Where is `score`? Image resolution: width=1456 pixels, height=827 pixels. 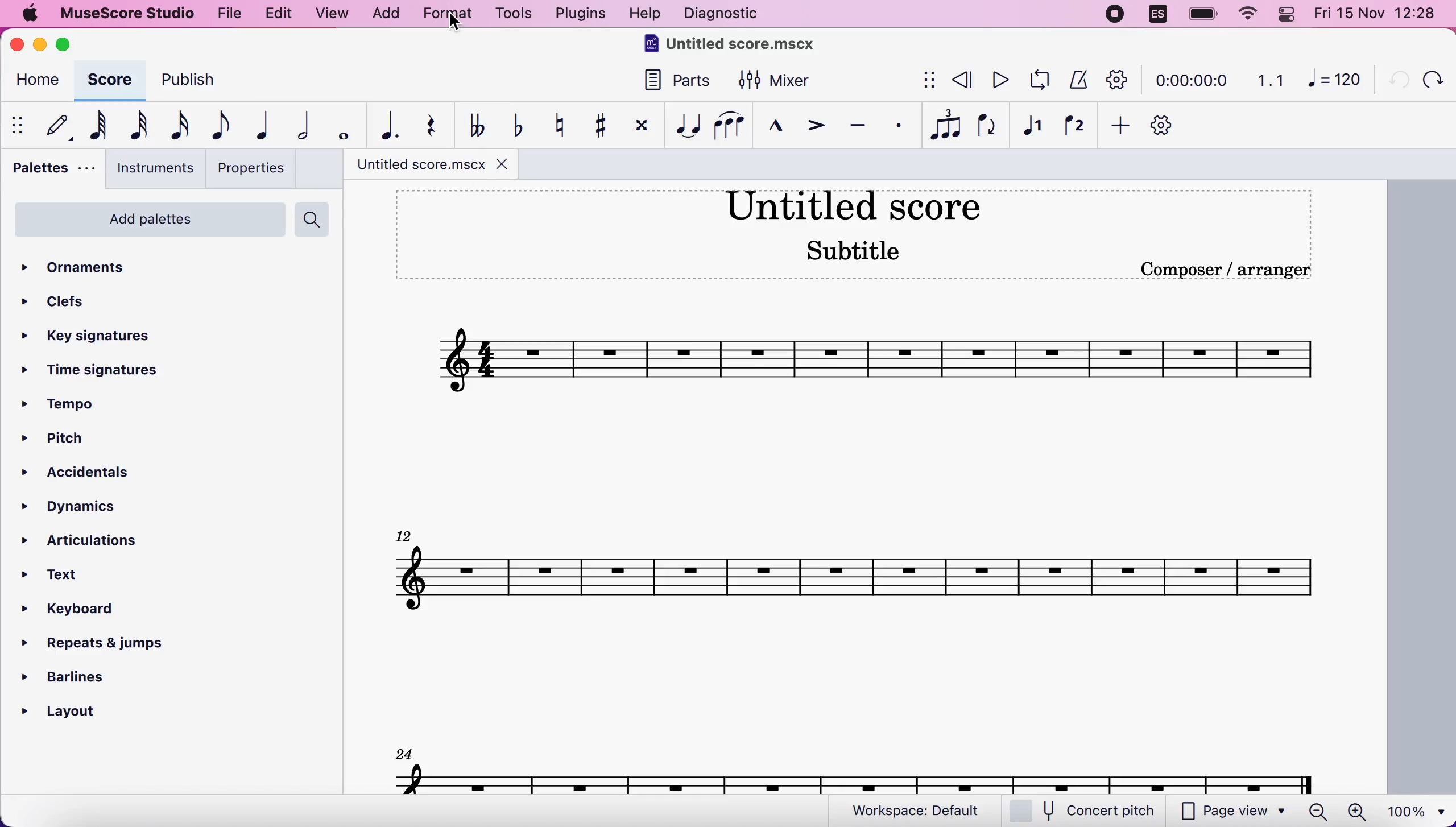 score is located at coordinates (107, 80).